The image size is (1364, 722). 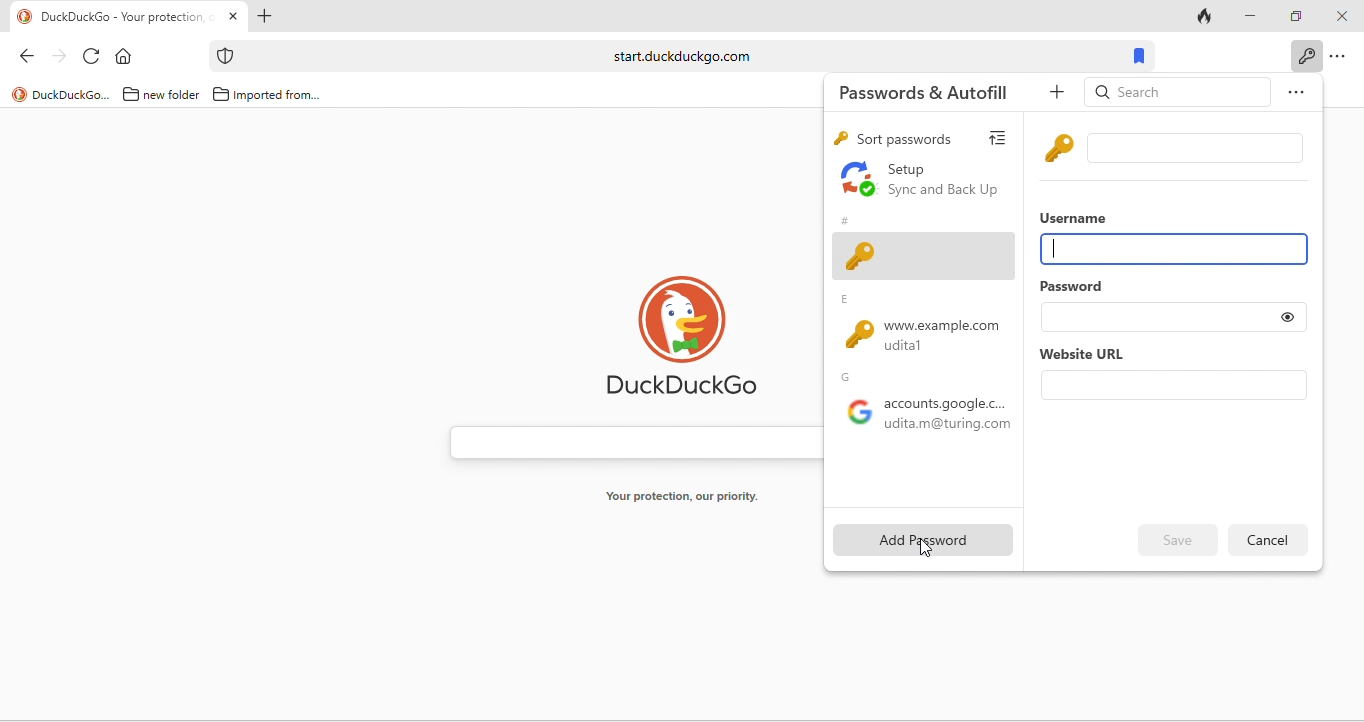 I want to click on e, so click(x=849, y=300).